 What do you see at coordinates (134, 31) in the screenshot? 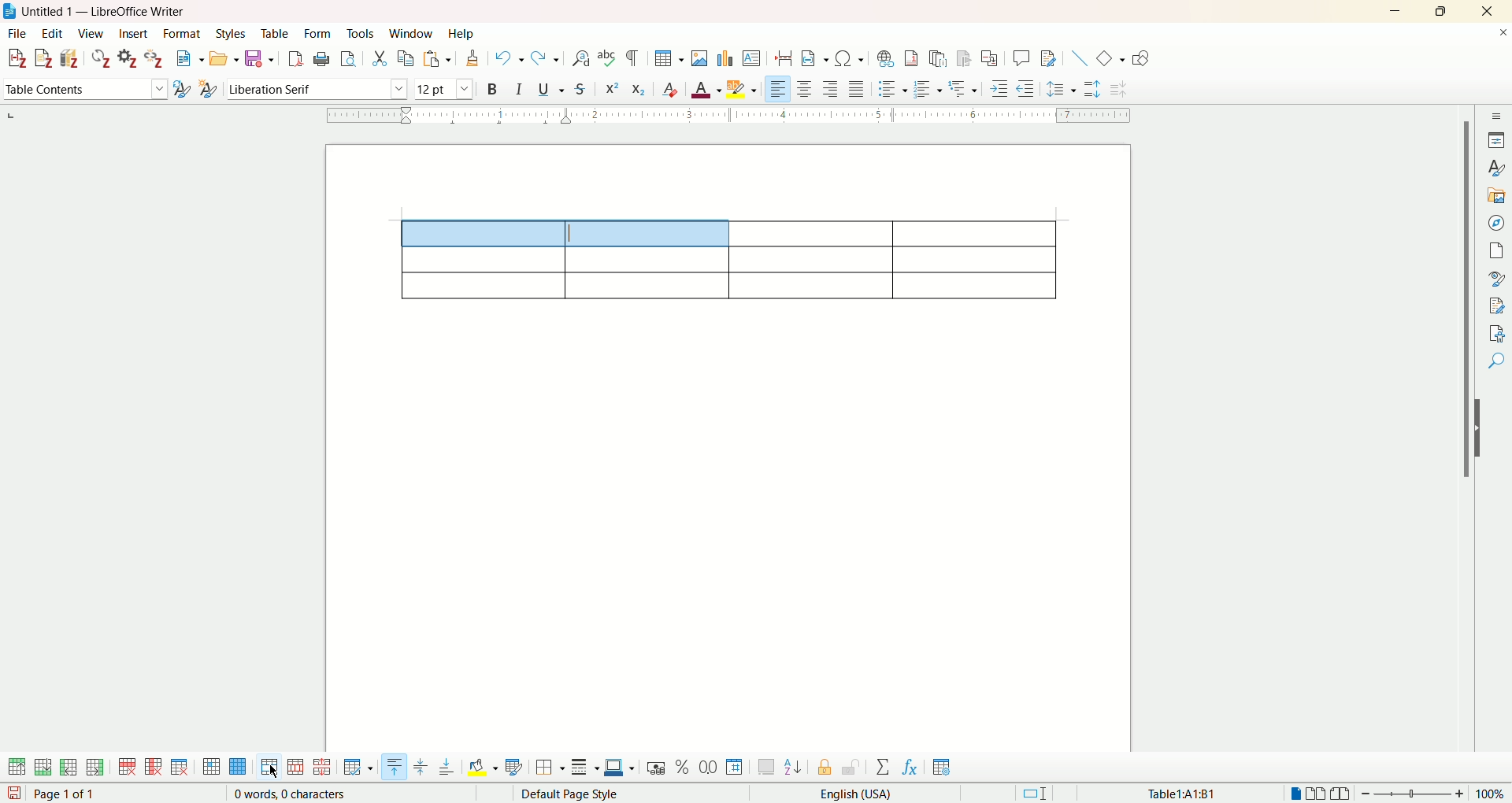
I see `insert` at bounding box center [134, 31].